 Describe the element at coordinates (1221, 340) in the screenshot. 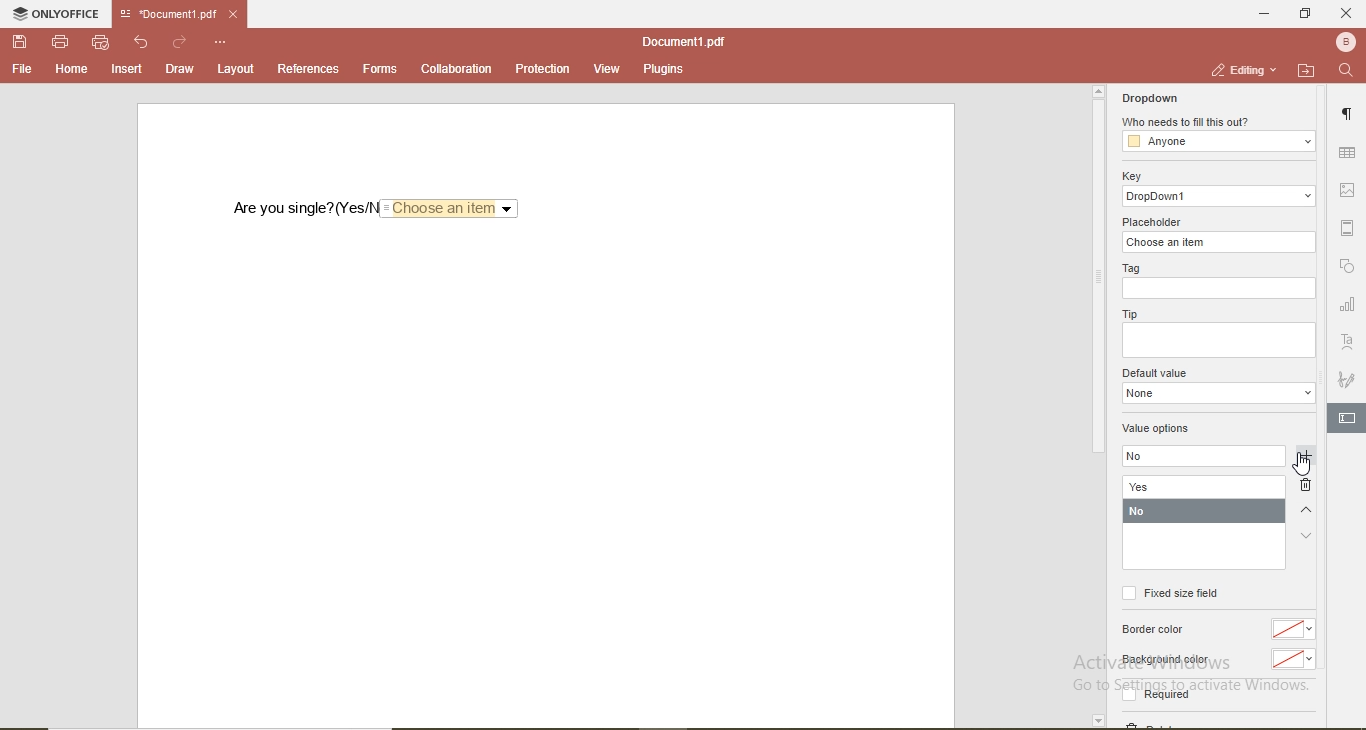

I see `empty box` at that location.